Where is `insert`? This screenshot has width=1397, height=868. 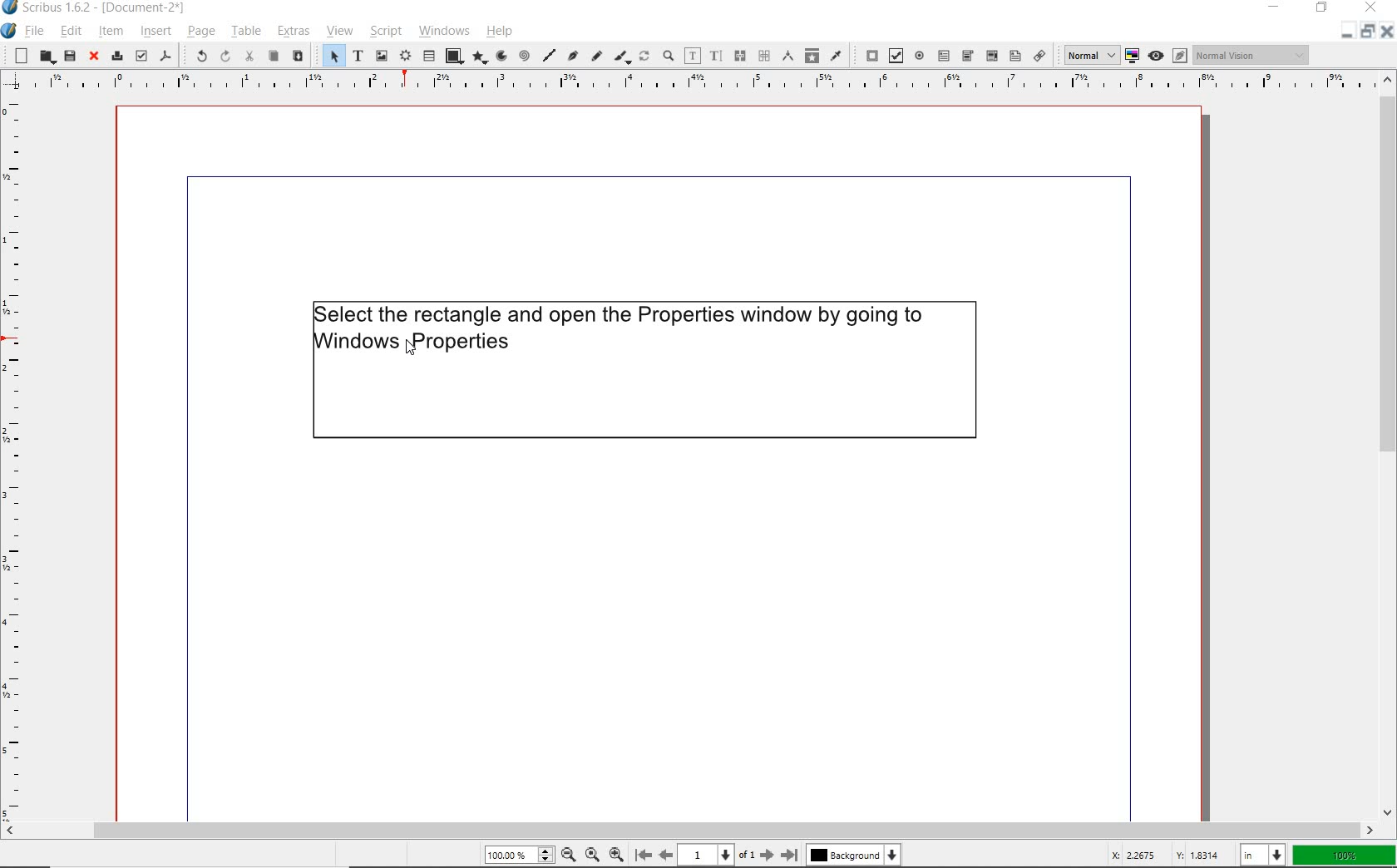 insert is located at coordinates (155, 31).